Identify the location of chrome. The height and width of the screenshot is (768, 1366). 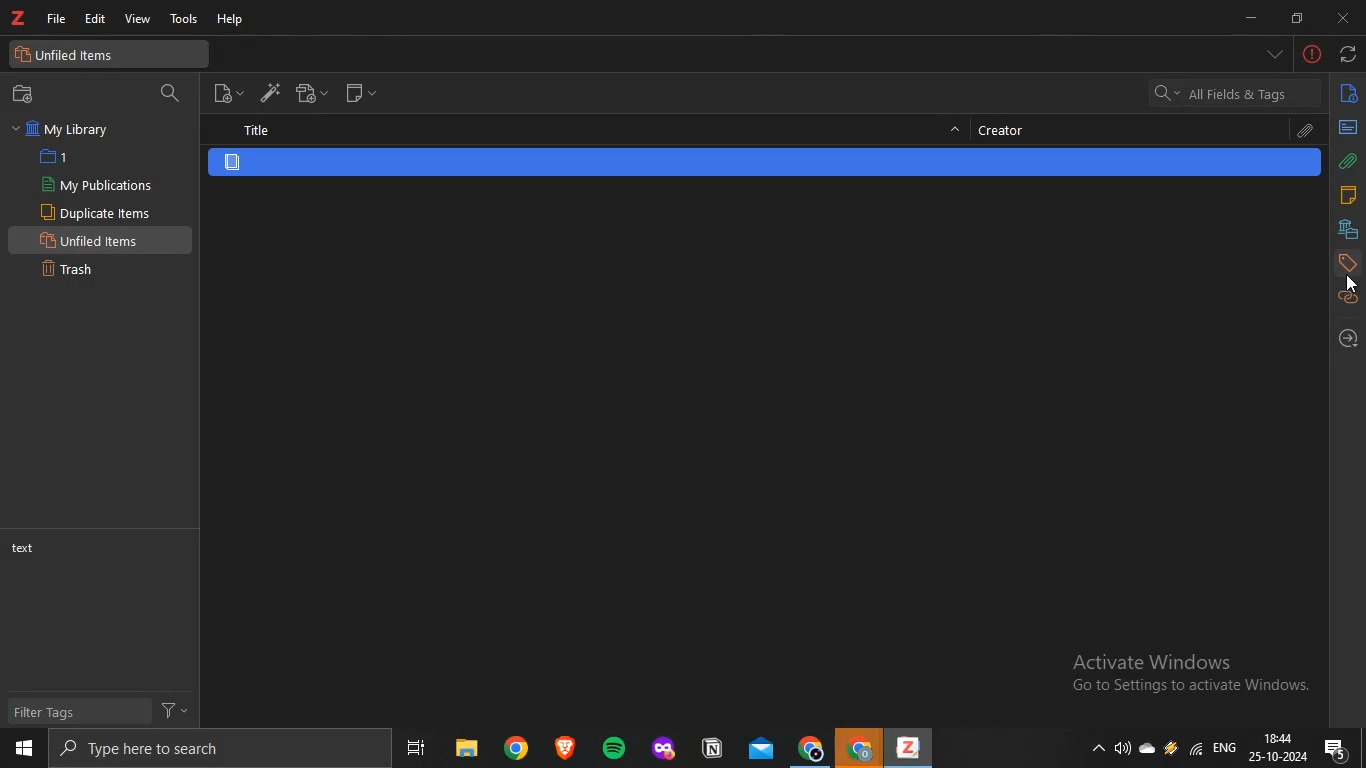
(514, 748).